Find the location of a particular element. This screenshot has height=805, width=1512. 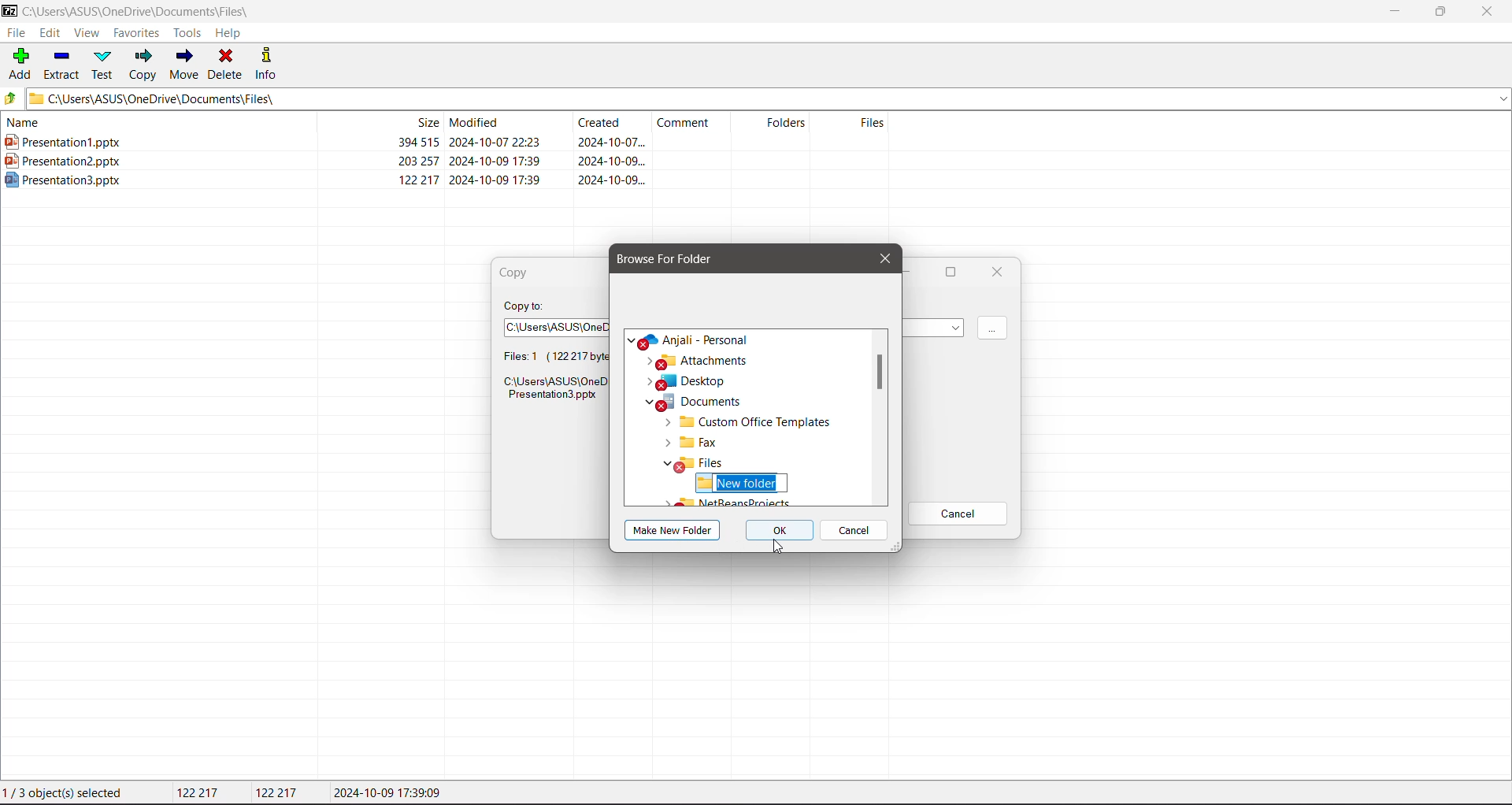

Info is located at coordinates (268, 63).